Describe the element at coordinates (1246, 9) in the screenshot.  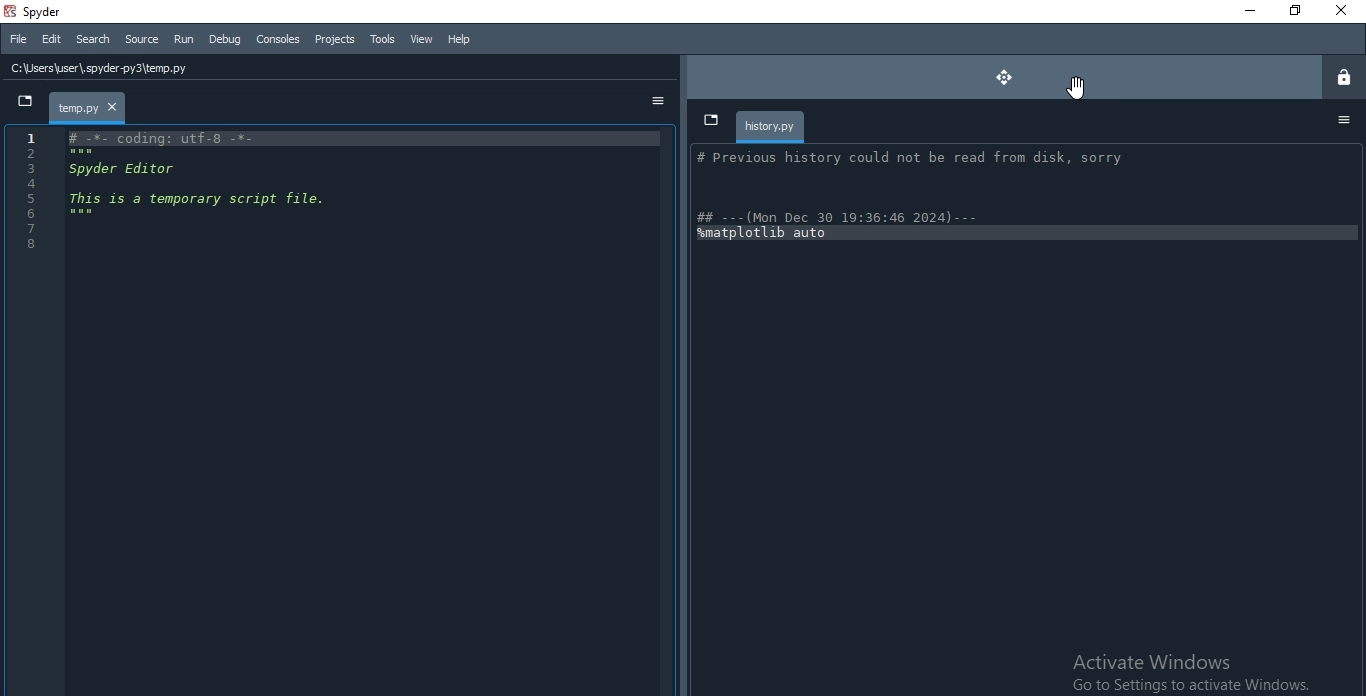
I see `Minimise` at that location.